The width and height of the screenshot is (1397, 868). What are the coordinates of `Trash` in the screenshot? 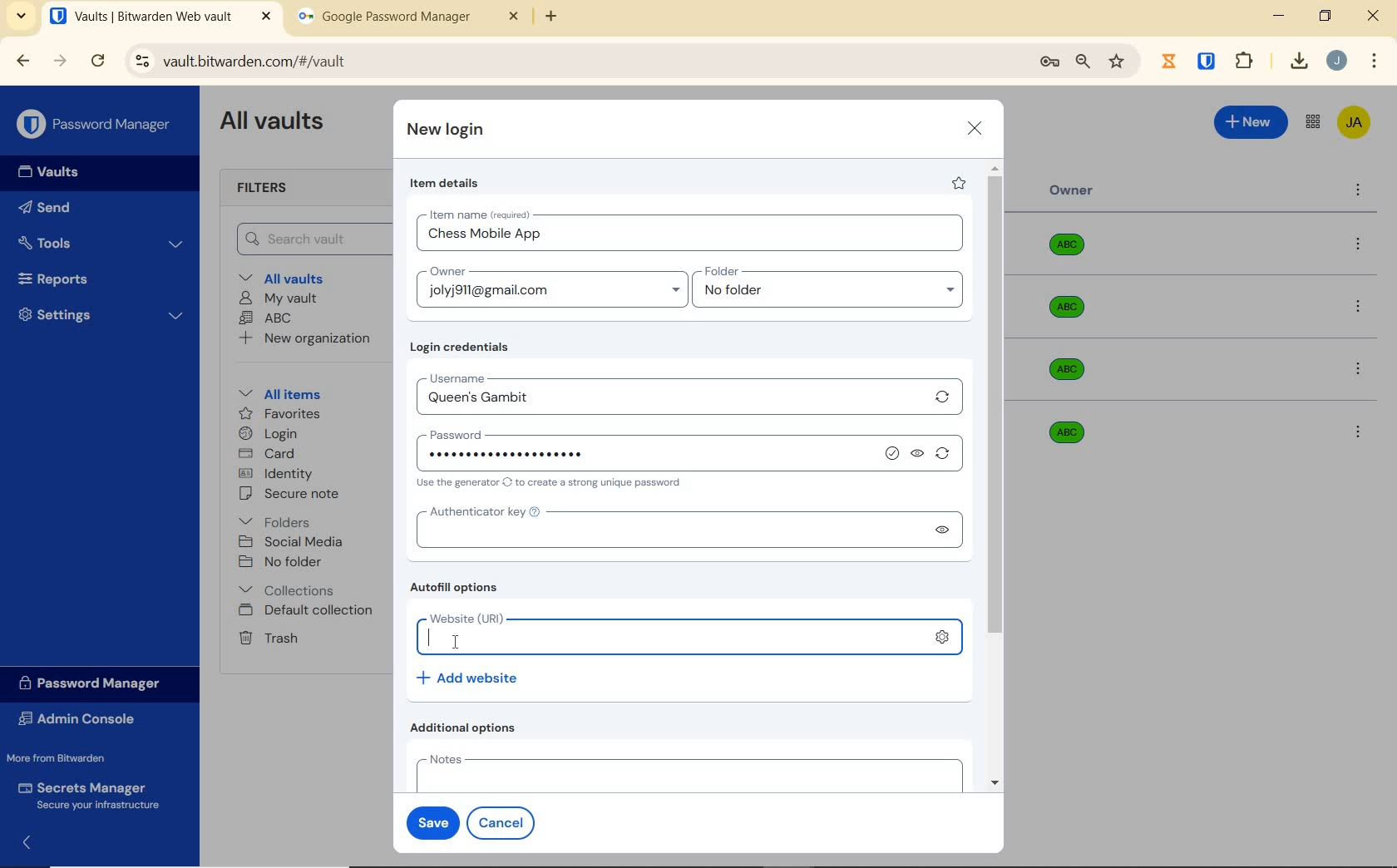 It's located at (265, 637).